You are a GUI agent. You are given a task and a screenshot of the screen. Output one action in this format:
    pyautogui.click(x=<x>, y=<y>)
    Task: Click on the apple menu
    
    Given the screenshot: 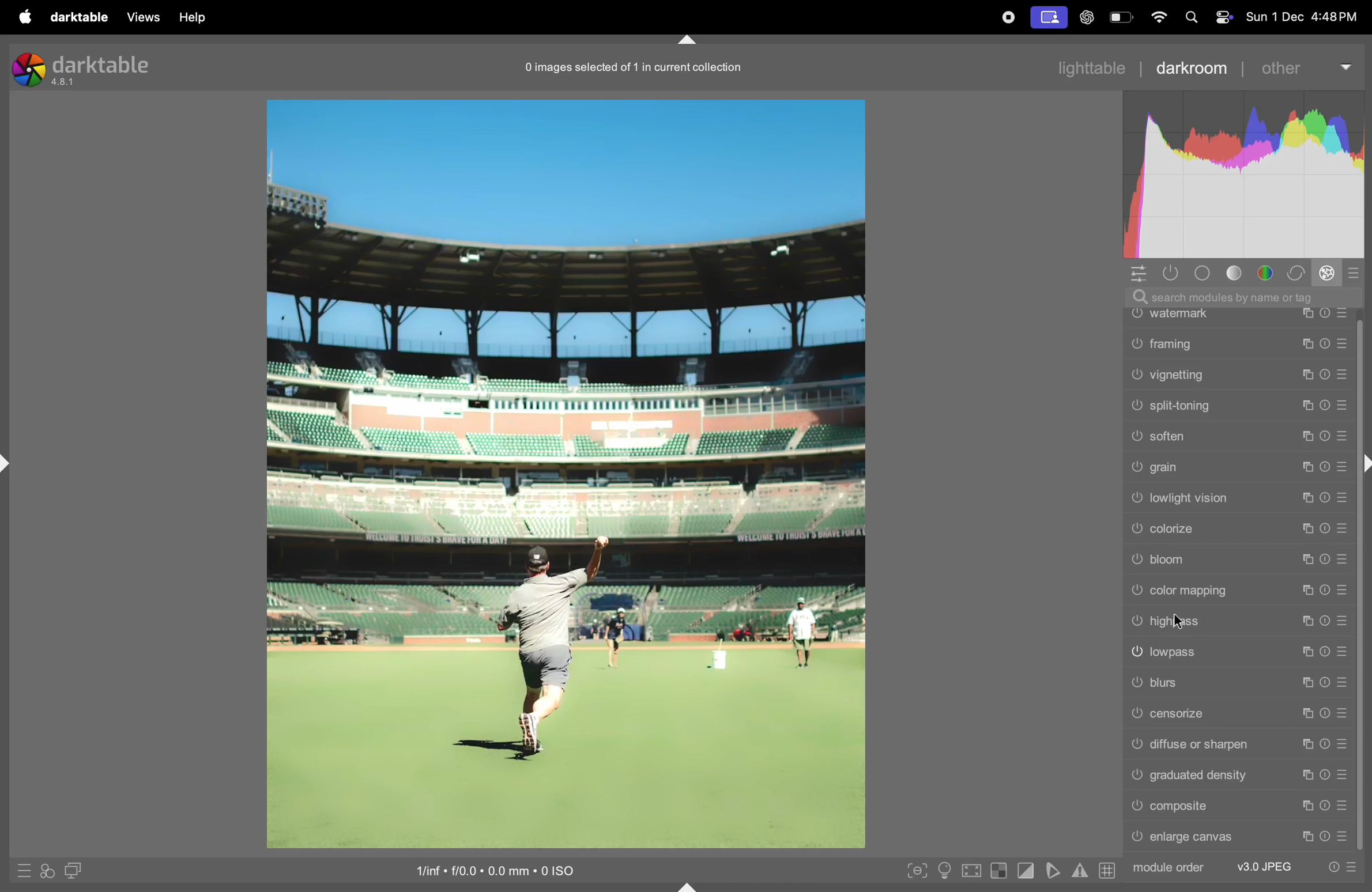 What is the action you would take?
    pyautogui.click(x=22, y=16)
    